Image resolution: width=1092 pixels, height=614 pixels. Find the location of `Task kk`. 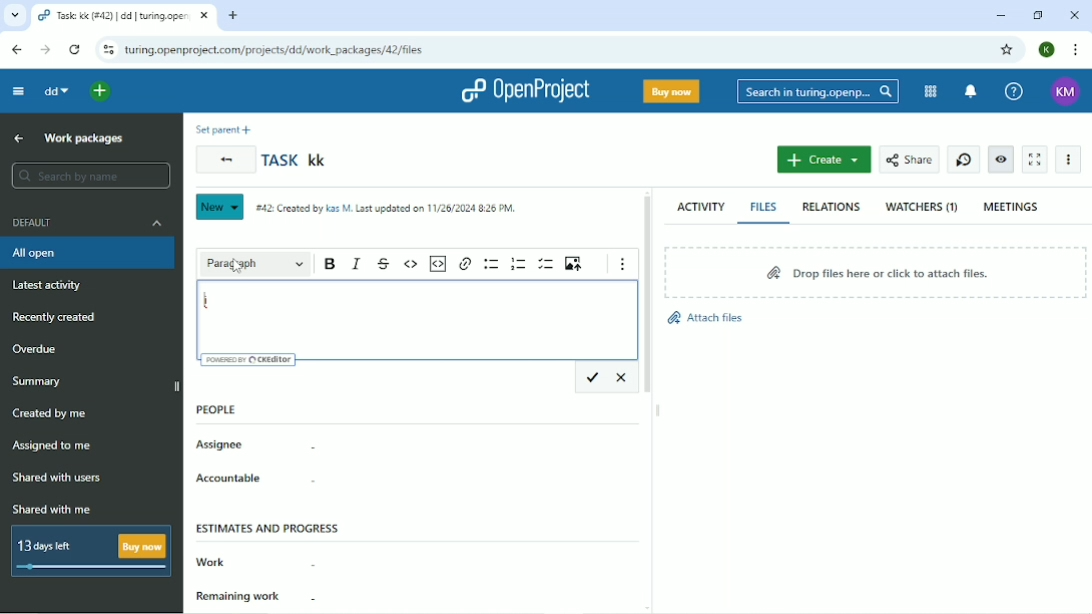

Task kk is located at coordinates (297, 161).